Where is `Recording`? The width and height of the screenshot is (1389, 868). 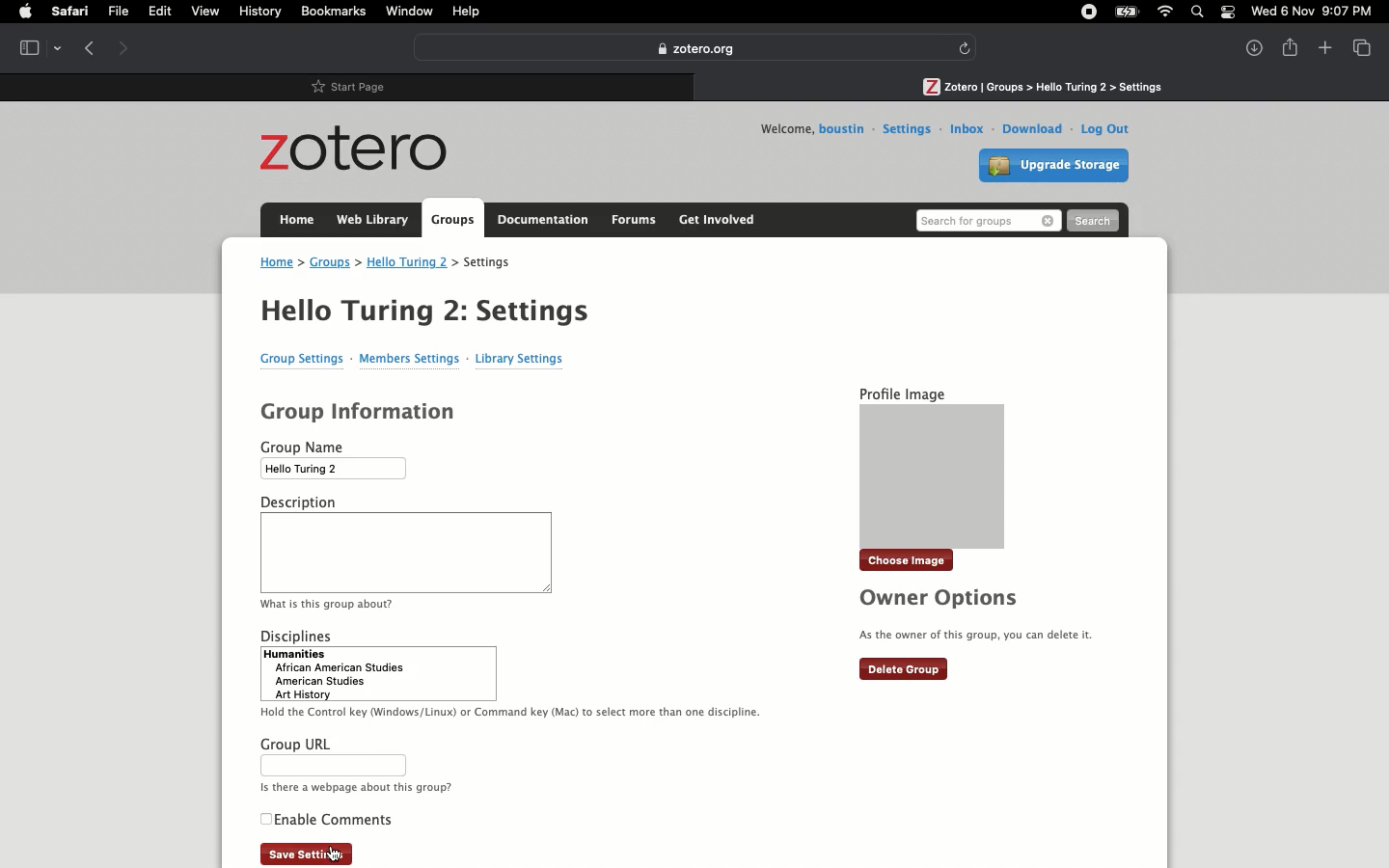
Recording is located at coordinates (1088, 14).